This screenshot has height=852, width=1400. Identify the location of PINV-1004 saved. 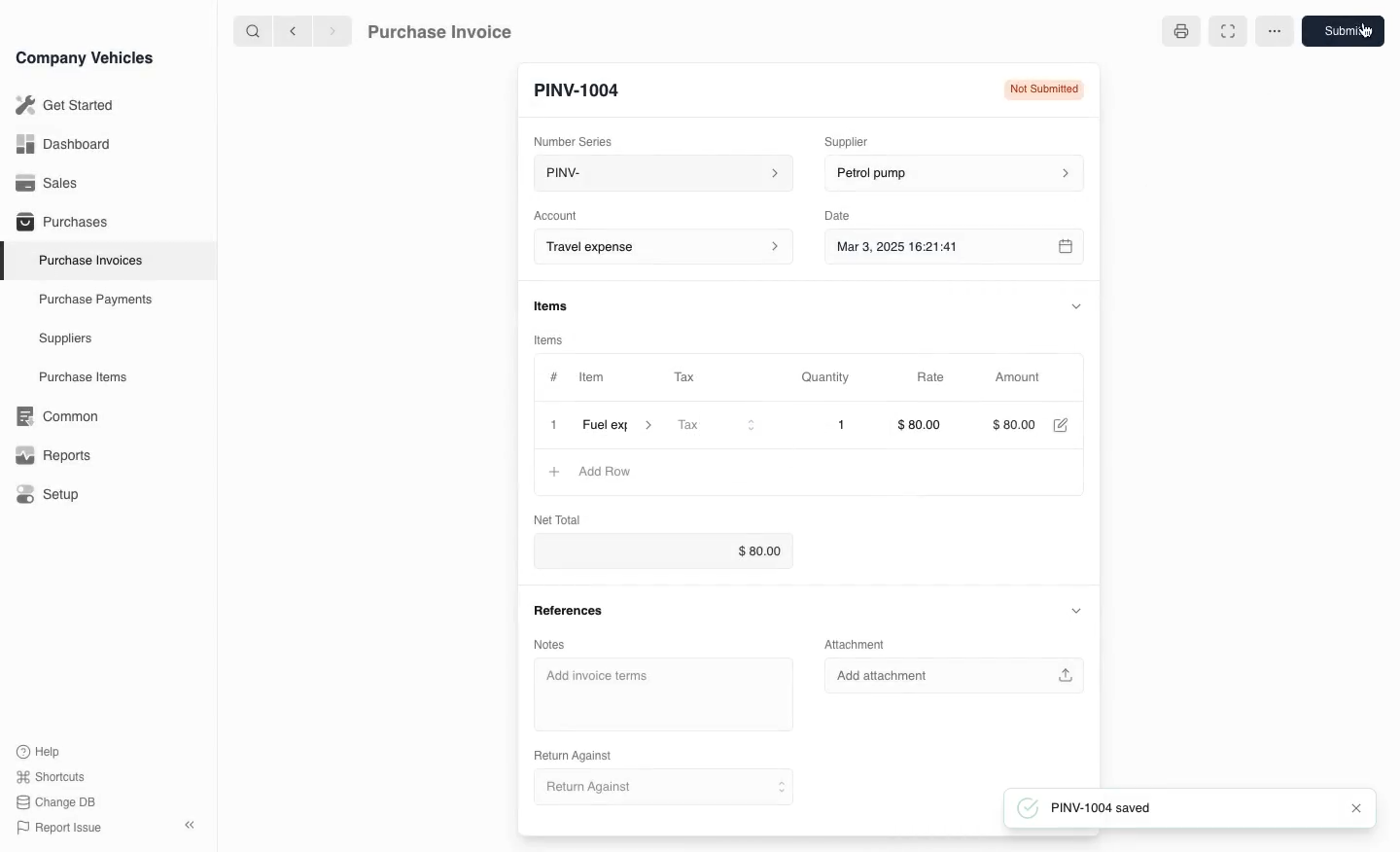
(1184, 807).